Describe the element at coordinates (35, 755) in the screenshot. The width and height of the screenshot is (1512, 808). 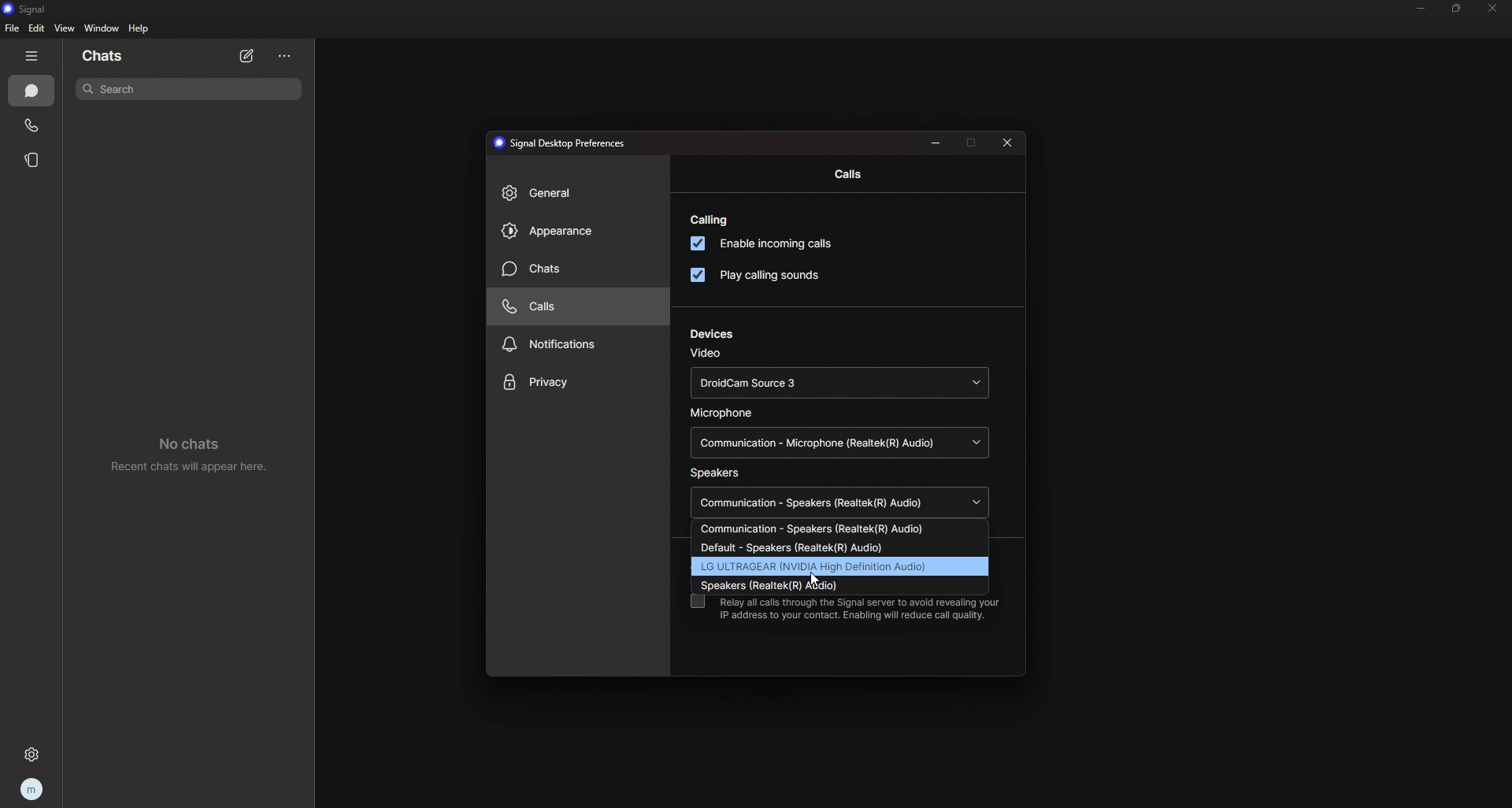
I see `settings` at that location.